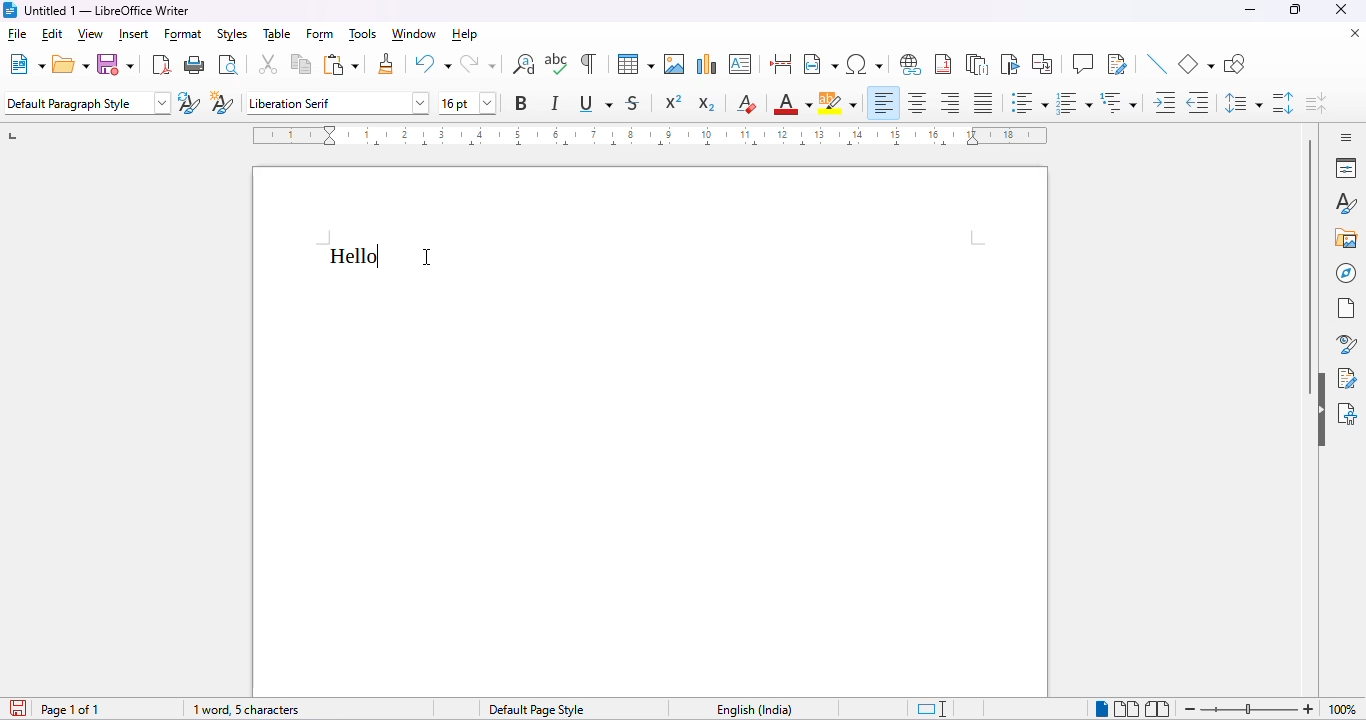  Describe the element at coordinates (1346, 204) in the screenshot. I see `styles` at that location.